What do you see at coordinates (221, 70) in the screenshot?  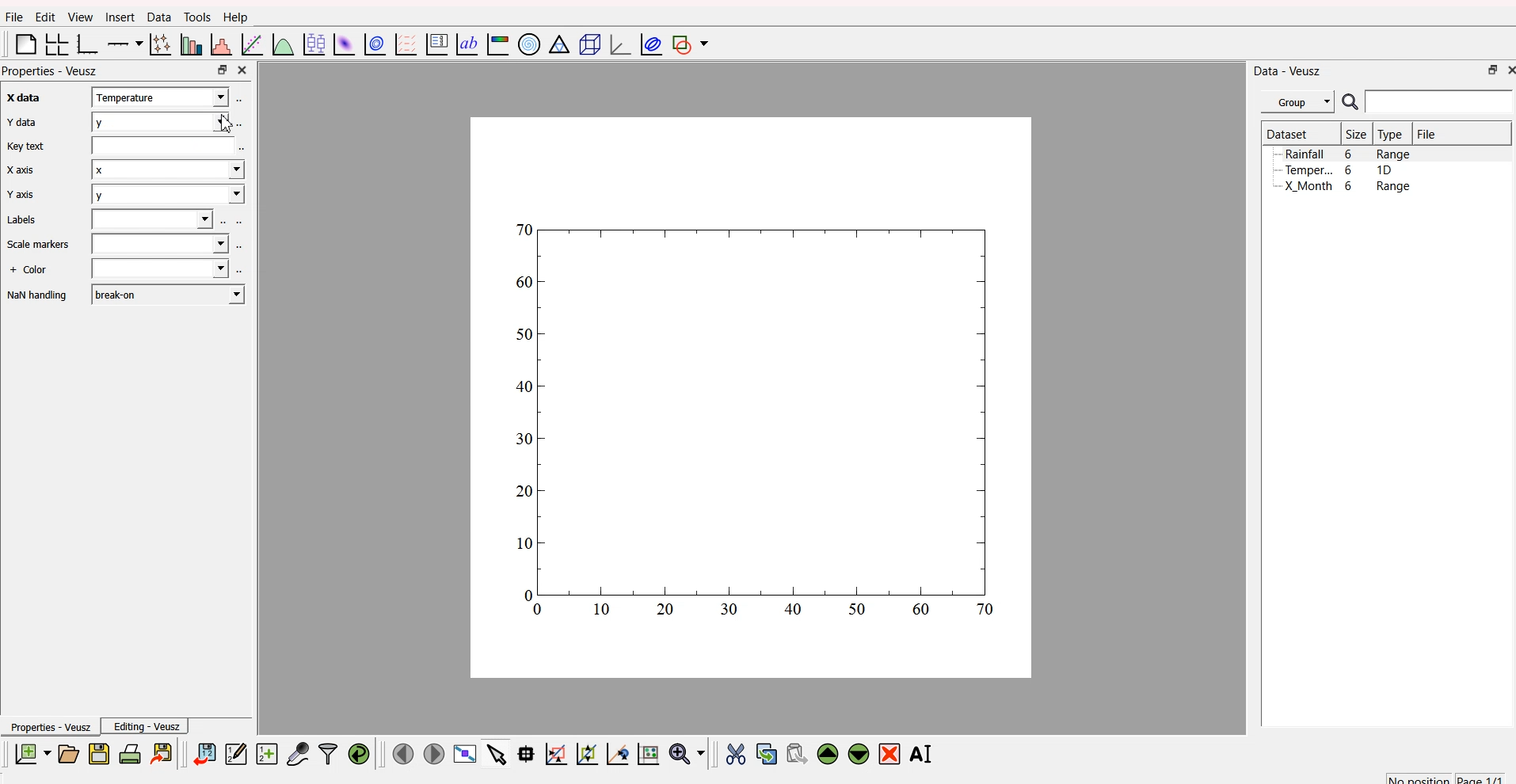 I see `maximize` at bounding box center [221, 70].